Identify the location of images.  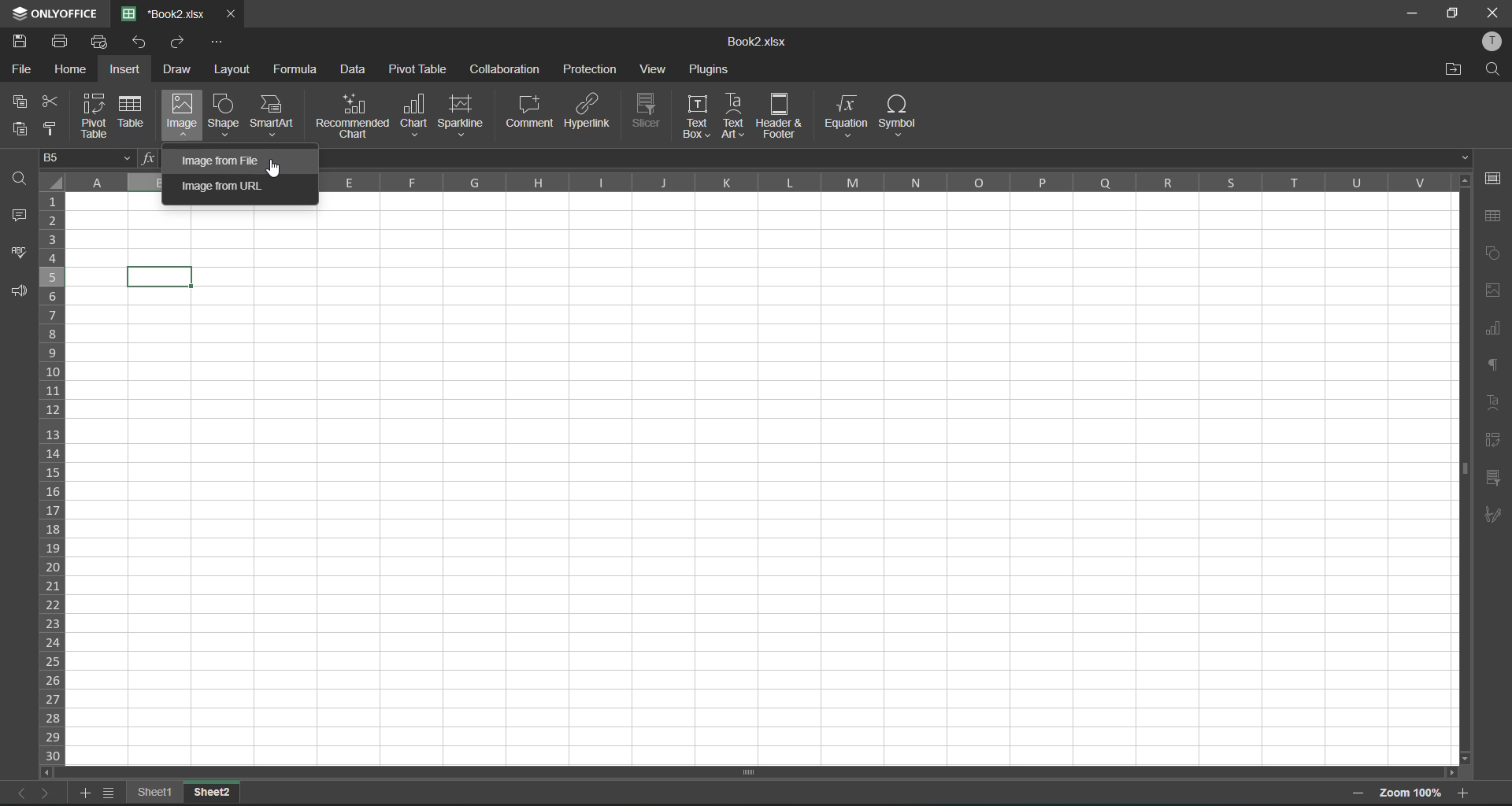
(1495, 289).